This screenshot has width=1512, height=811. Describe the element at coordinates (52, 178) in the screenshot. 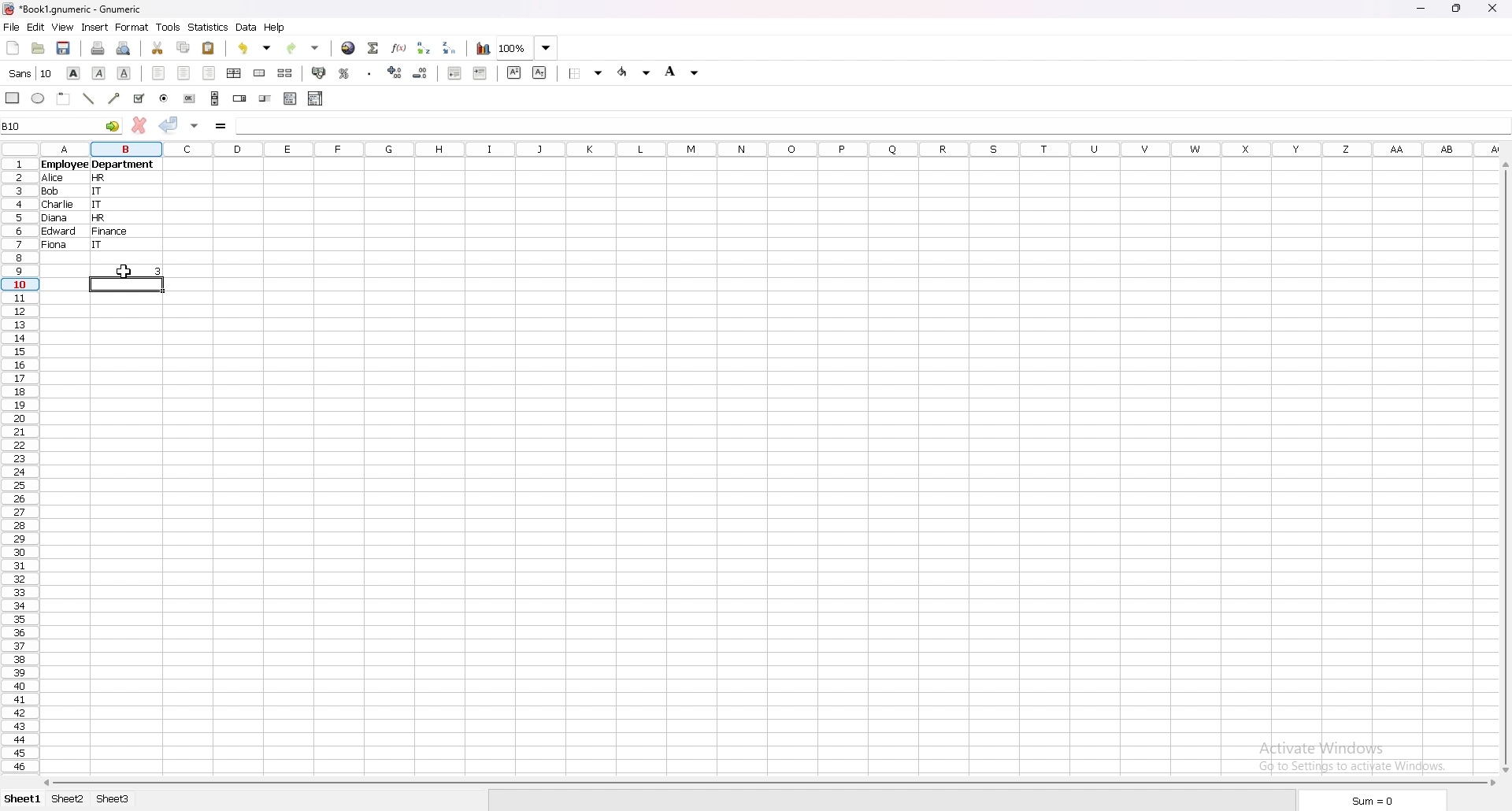

I see `Alice` at that location.